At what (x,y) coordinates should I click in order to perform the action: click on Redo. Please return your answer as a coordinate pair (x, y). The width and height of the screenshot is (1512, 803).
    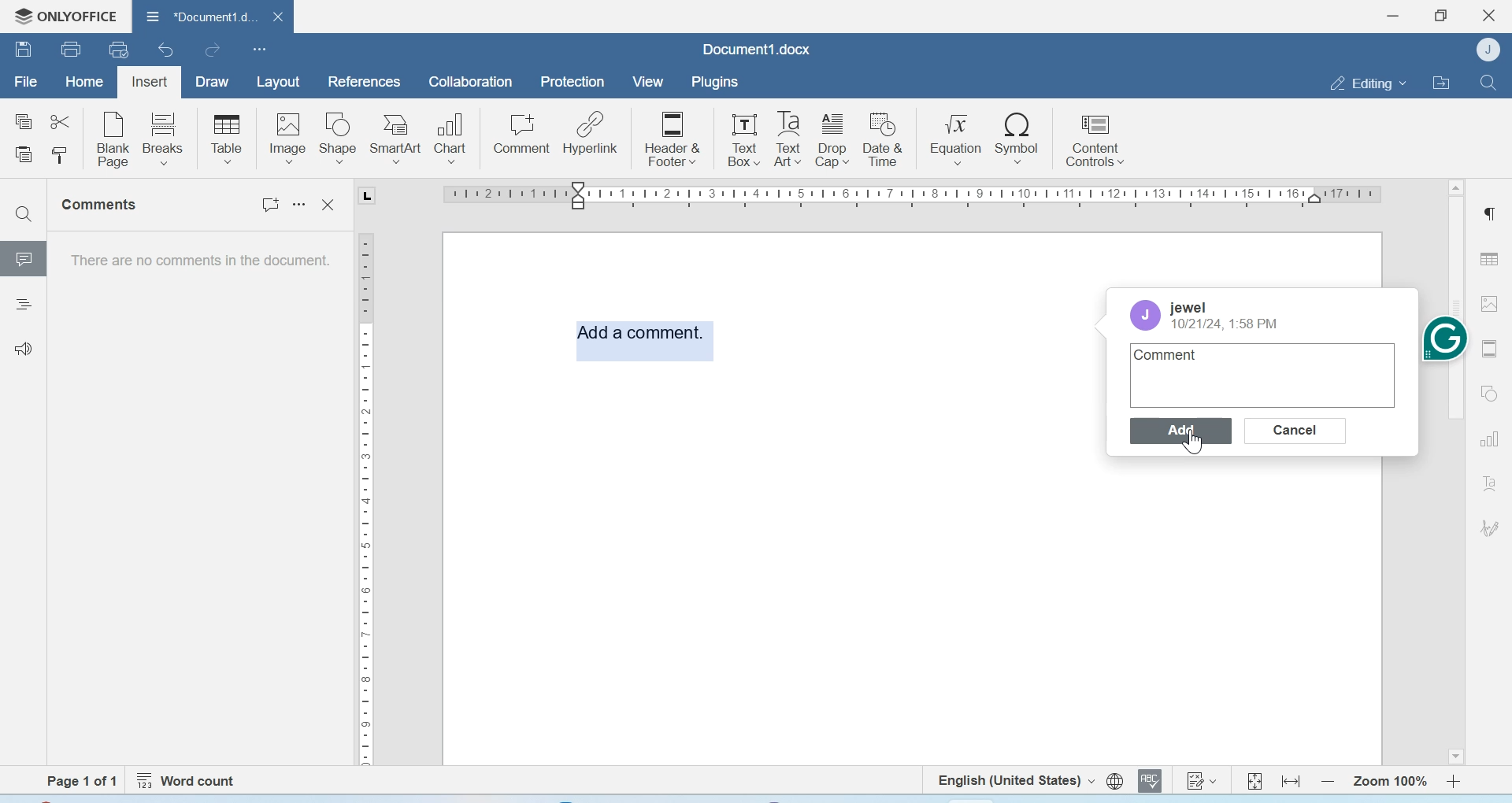
    Looking at the image, I should click on (211, 50).